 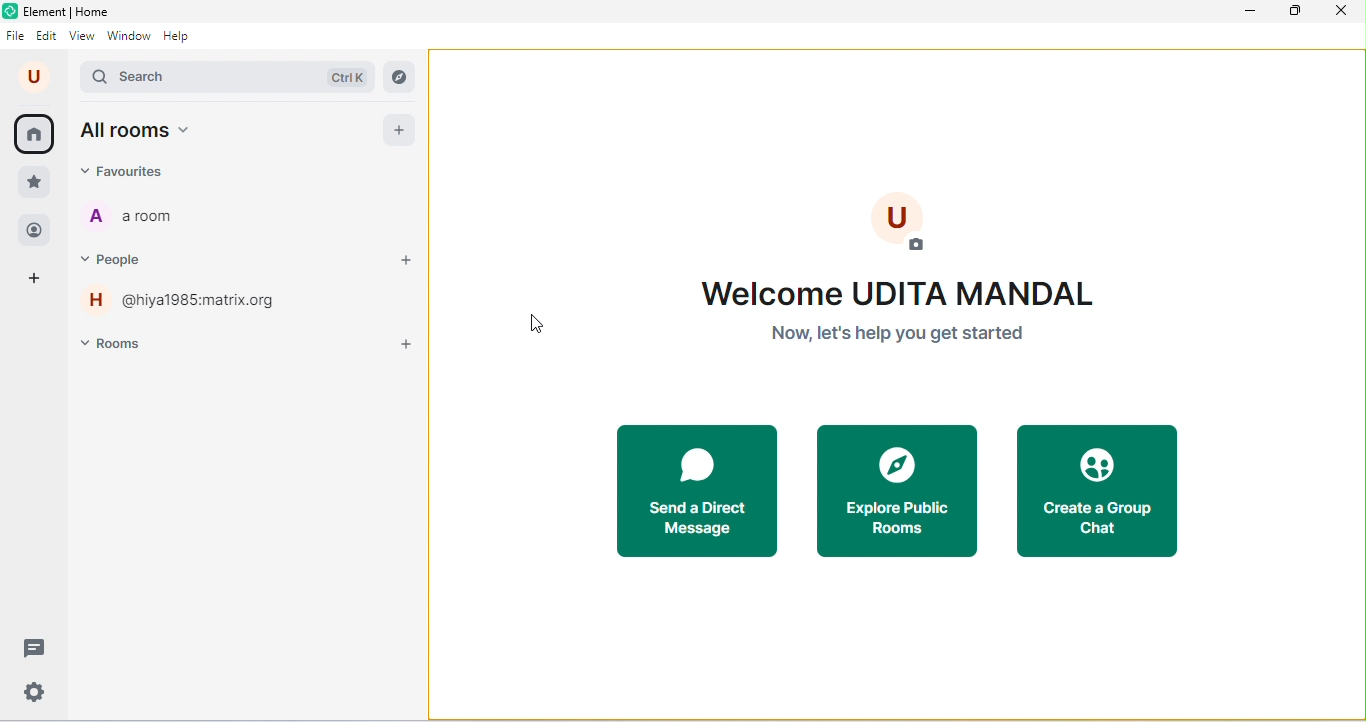 What do you see at coordinates (46, 36) in the screenshot?
I see `edit` at bounding box center [46, 36].